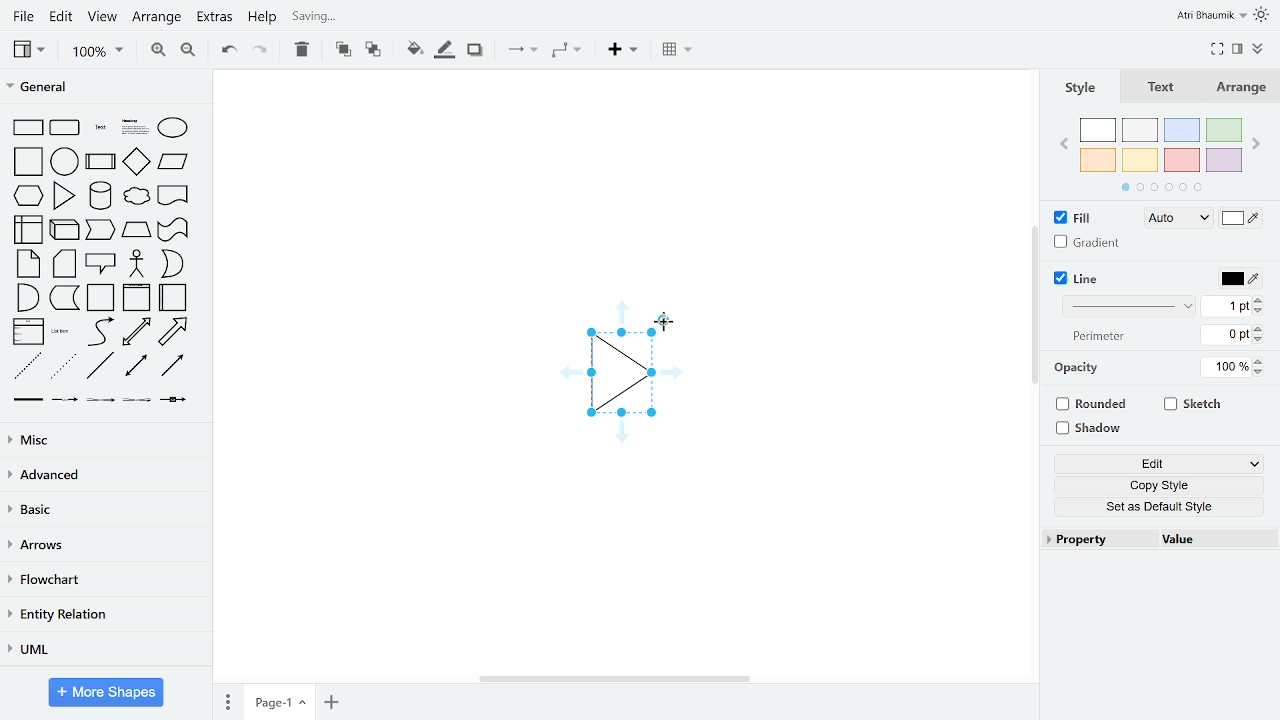 Image resolution: width=1280 pixels, height=720 pixels. Describe the element at coordinates (1182, 130) in the screenshot. I see `blue` at that location.